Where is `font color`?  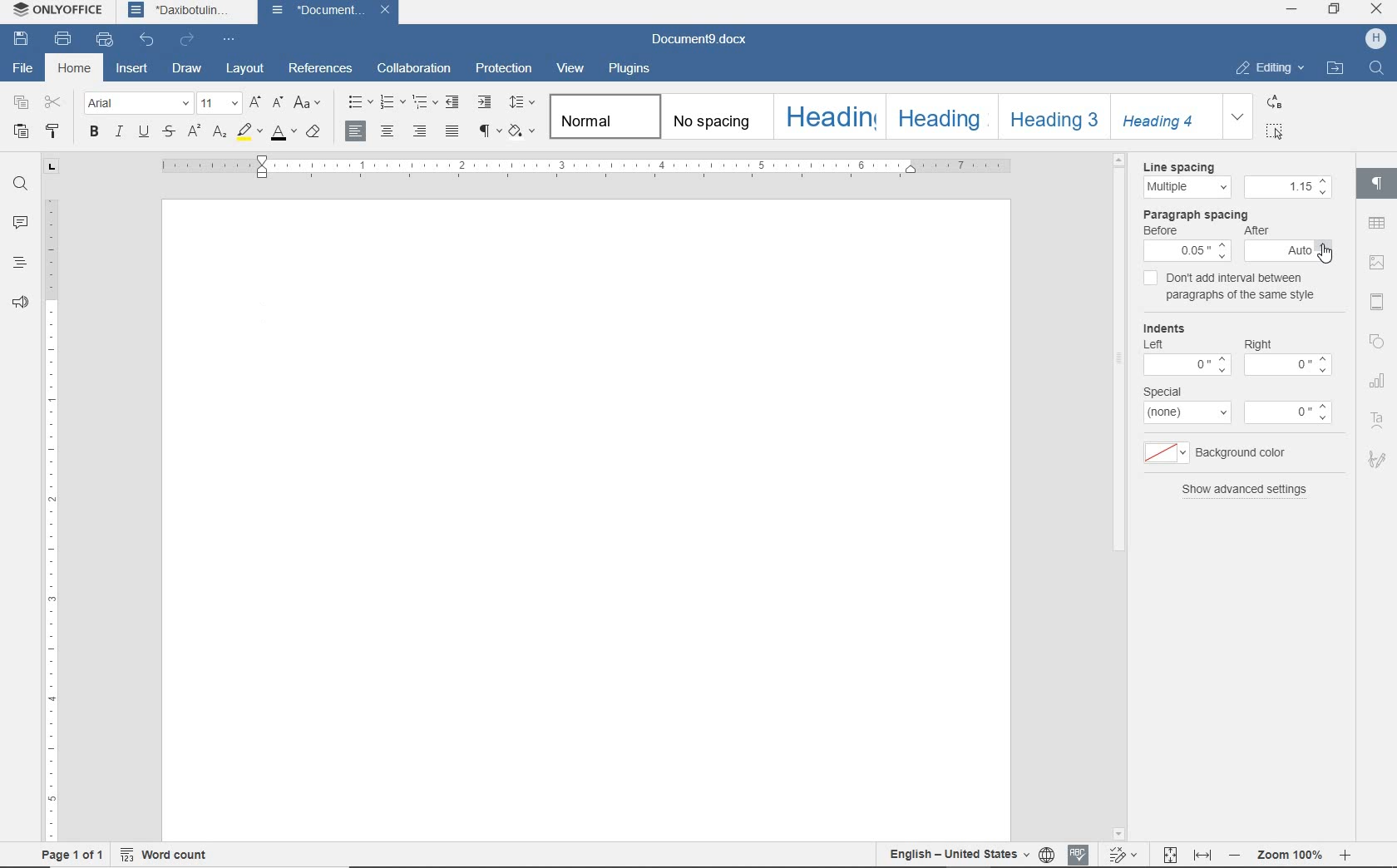 font color is located at coordinates (283, 133).